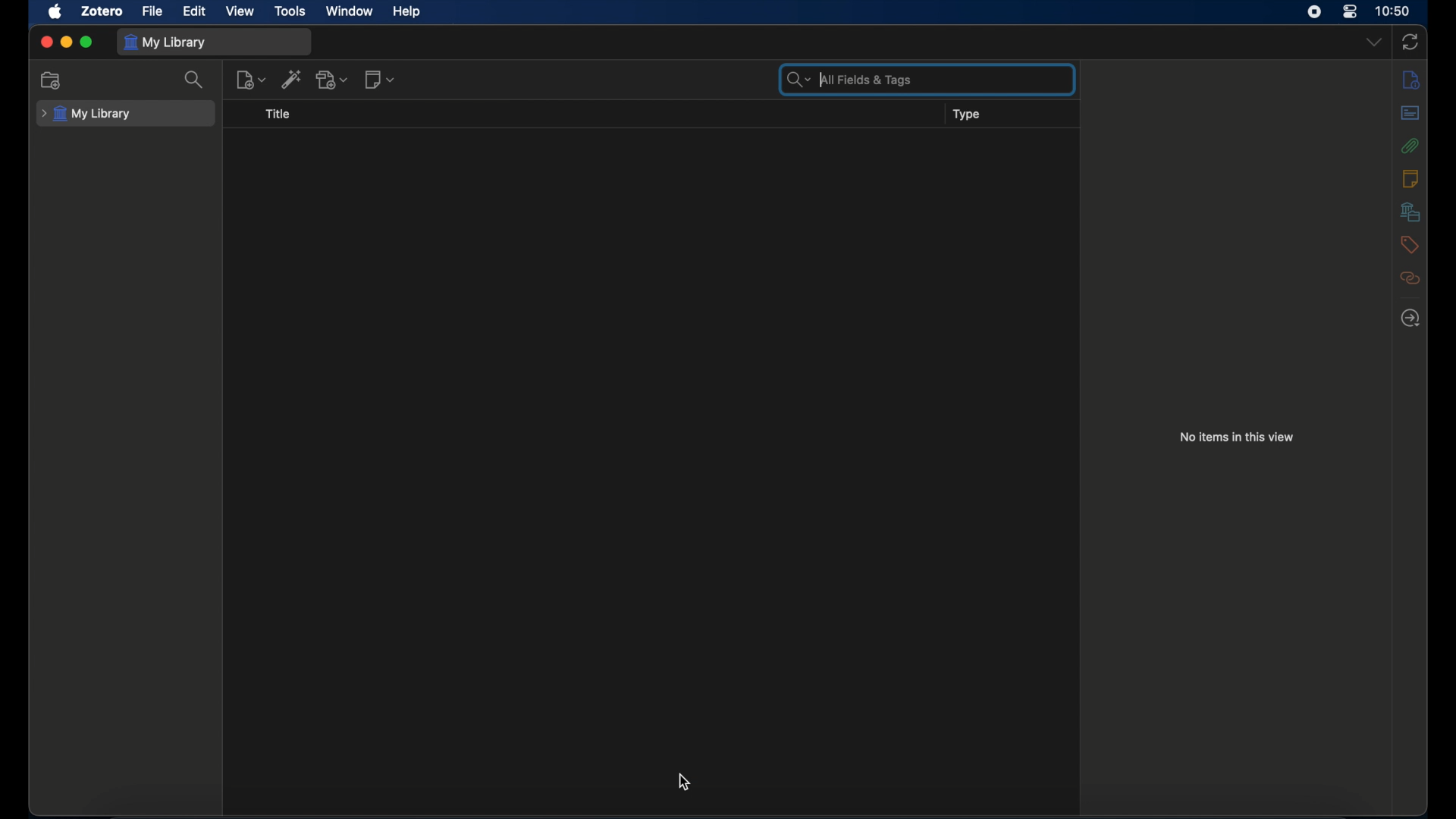 The height and width of the screenshot is (819, 1456). I want to click on no items in this view, so click(1238, 437).